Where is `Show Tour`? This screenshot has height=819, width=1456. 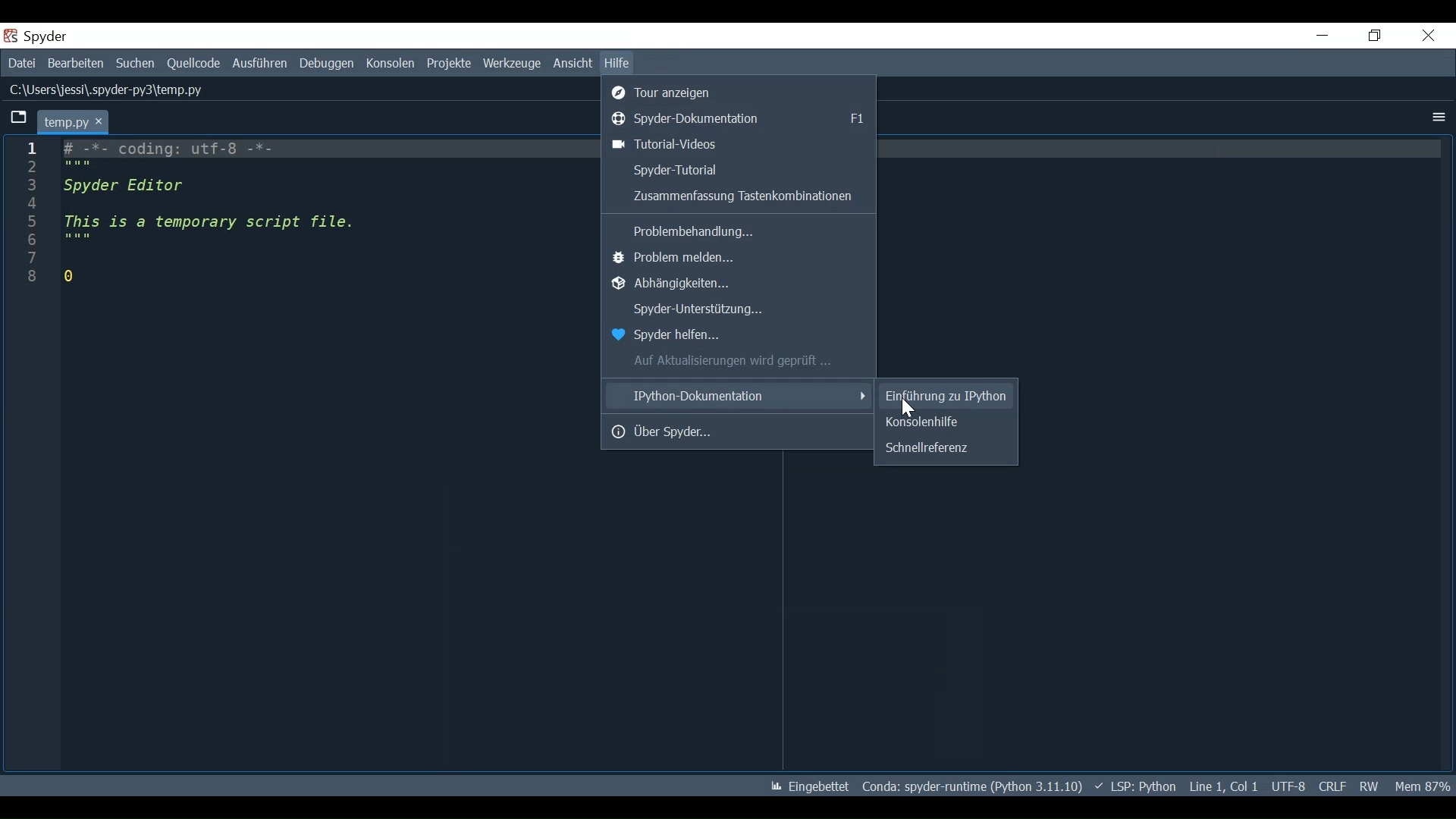
Show Tour is located at coordinates (741, 91).